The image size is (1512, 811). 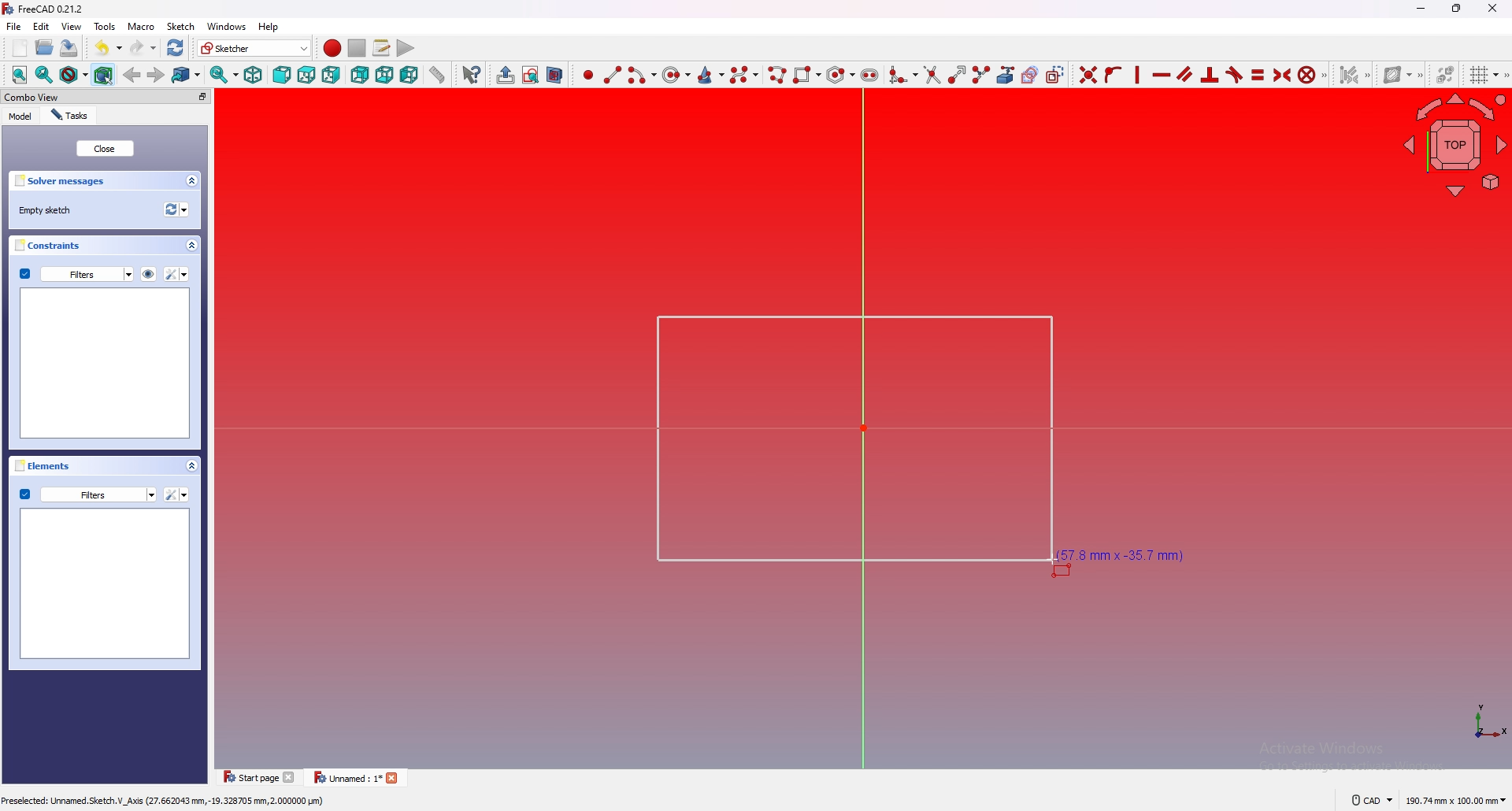 I want to click on filters, so click(x=76, y=273).